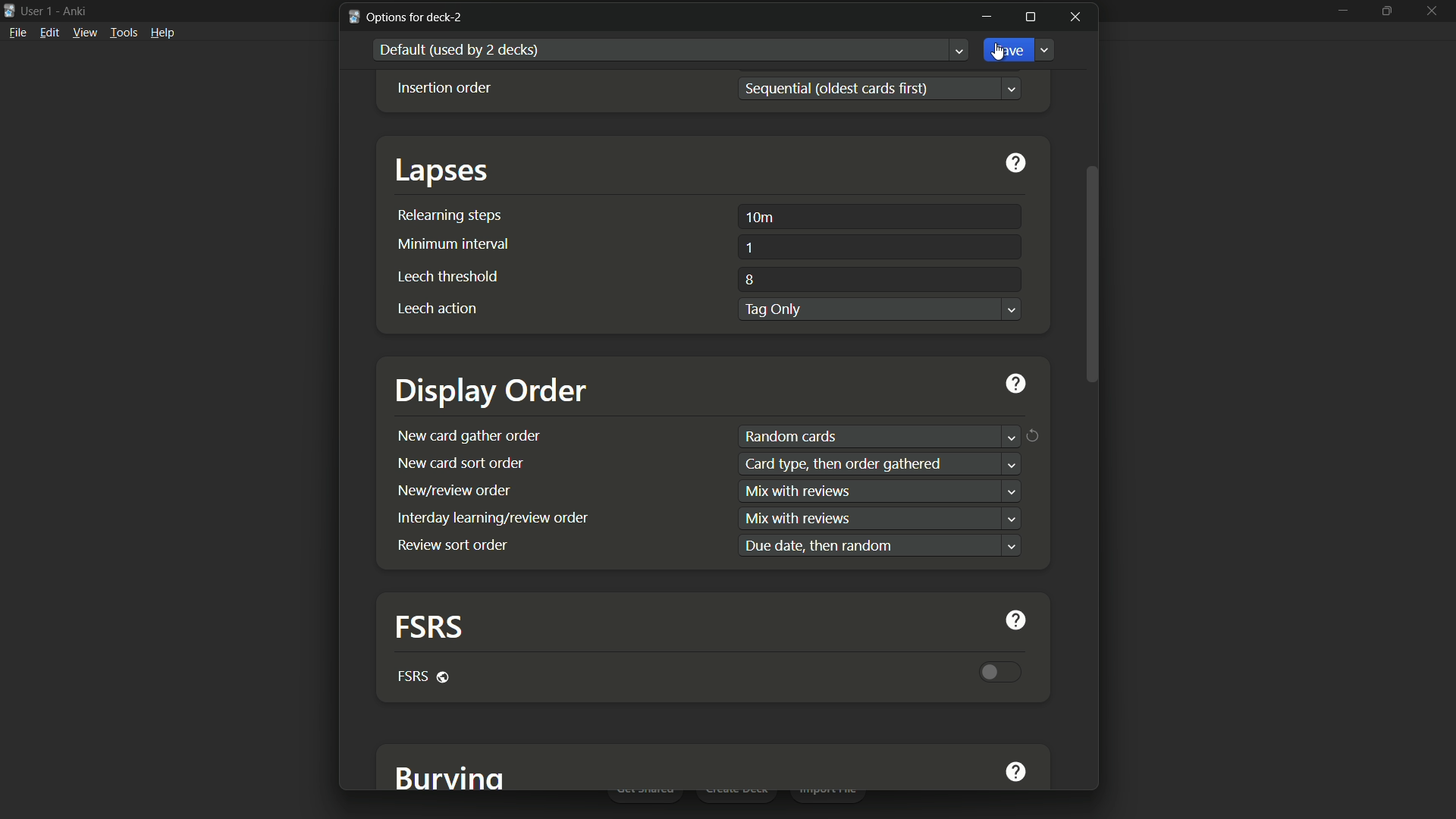 Image resolution: width=1456 pixels, height=819 pixels. Describe the element at coordinates (959, 50) in the screenshot. I see `Dropdown` at that location.